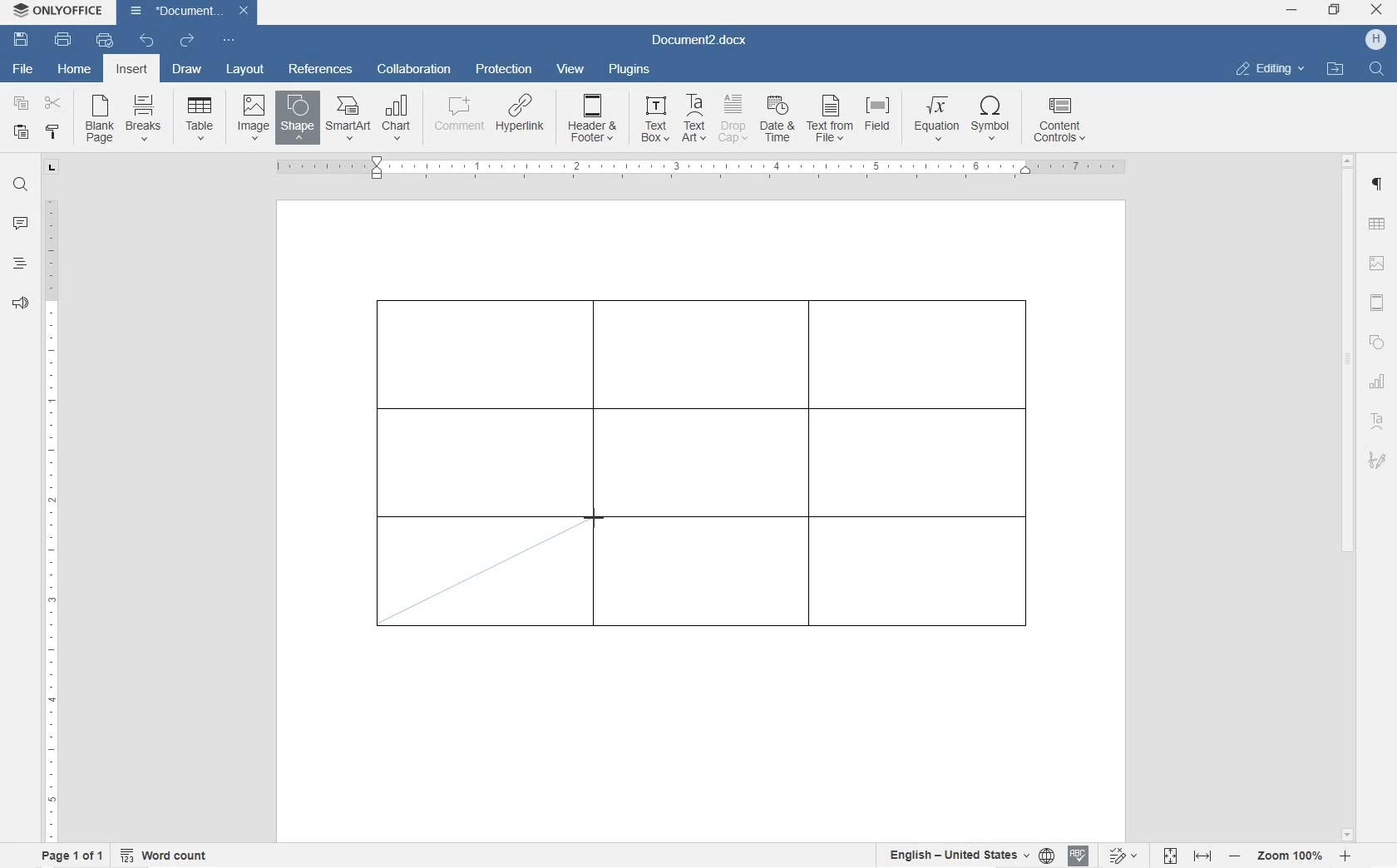  Describe the element at coordinates (704, 42) in the screenshot. I see `Document3.docx` at that location.